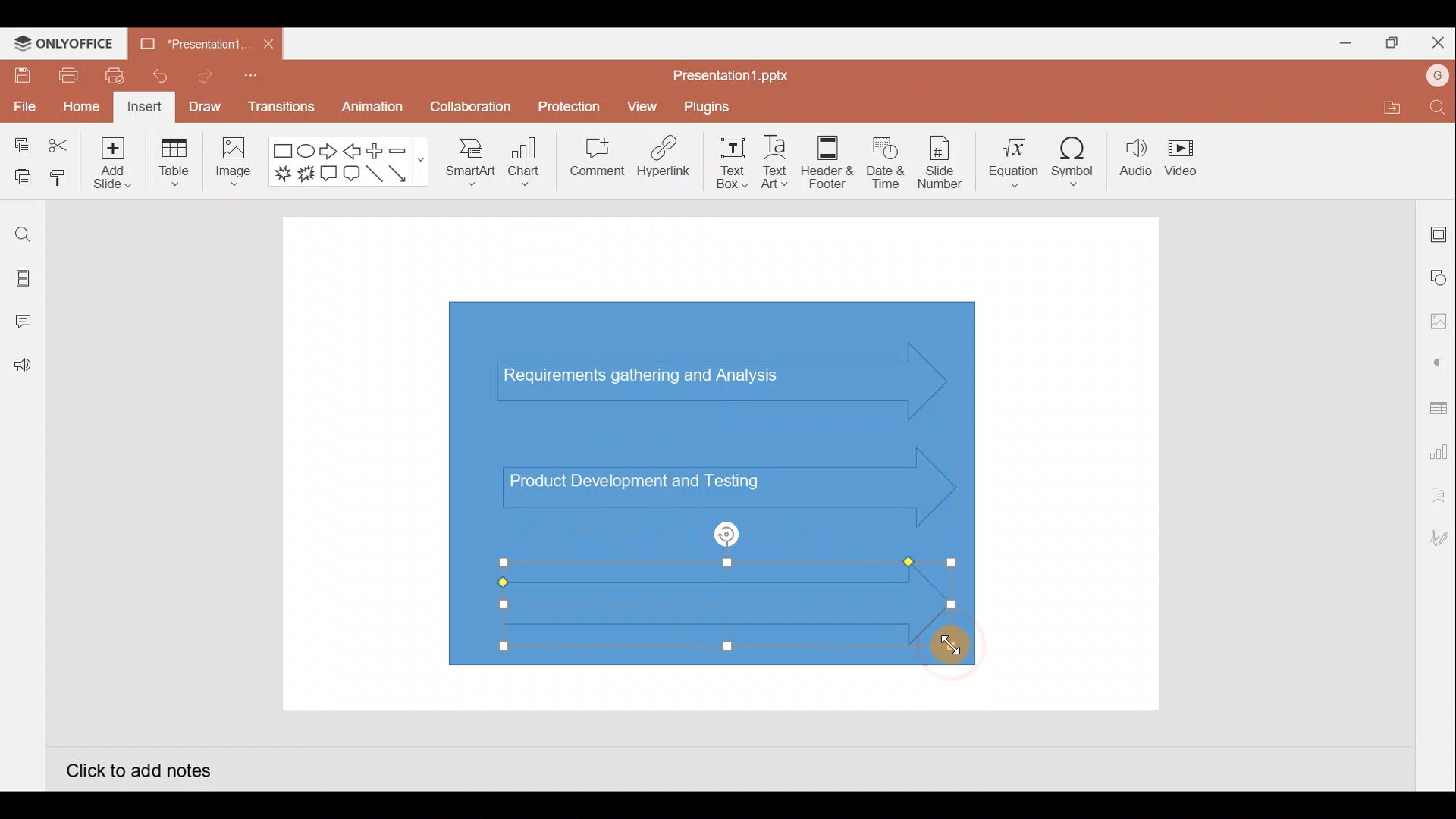 This screenshot has width=1456, height=819. I want to click on 3rd Inserted right arrow shape, so click(691, 605).